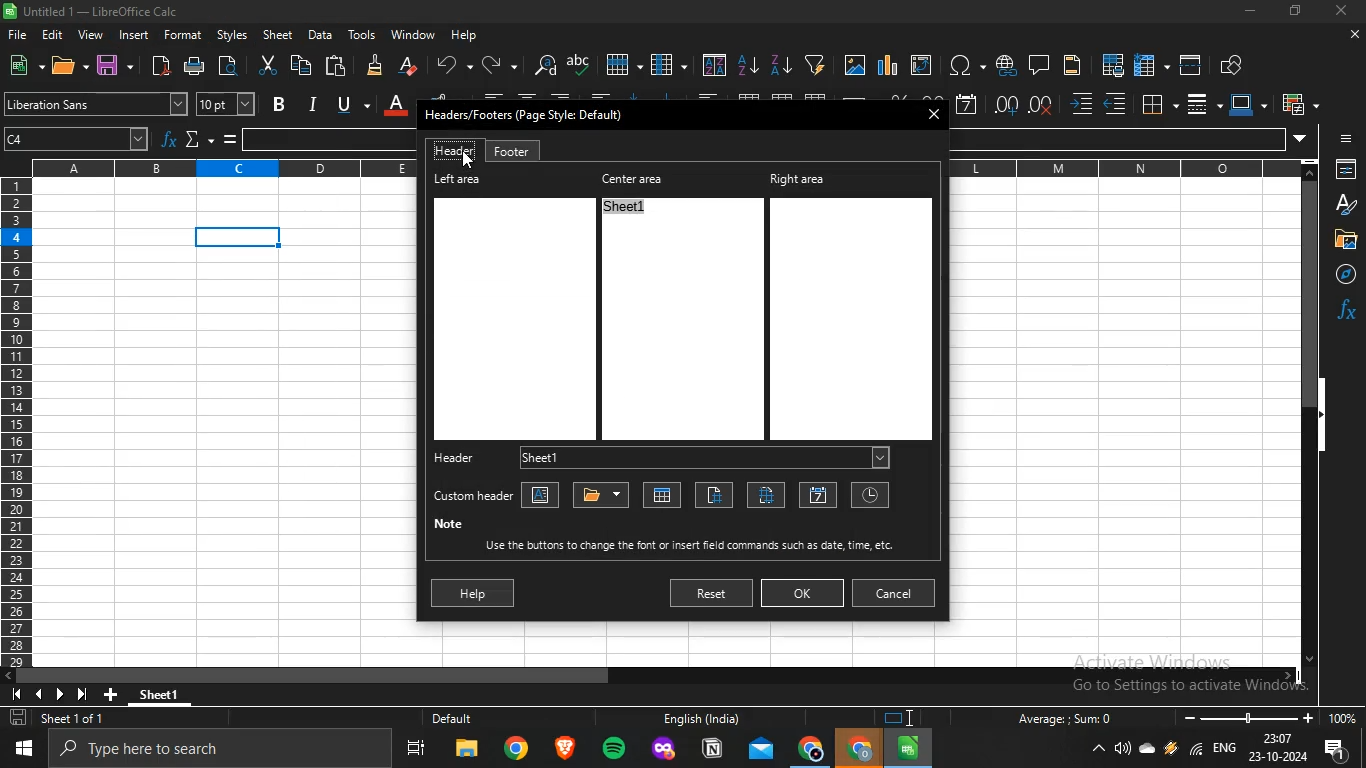  I want to click on oom, so click(1268, 716).